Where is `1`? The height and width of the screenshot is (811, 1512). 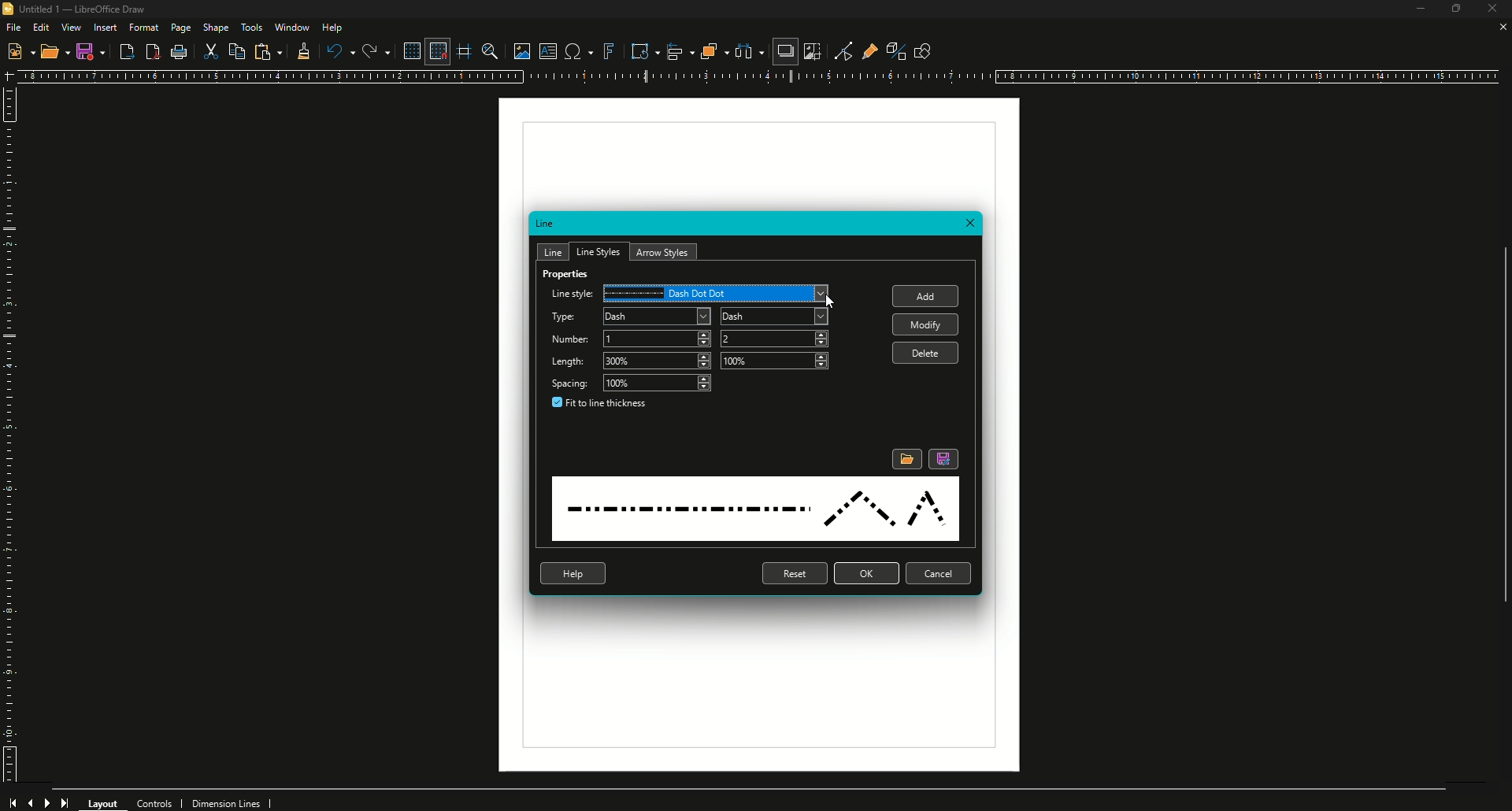 1 is located at coordinates (657, 338).